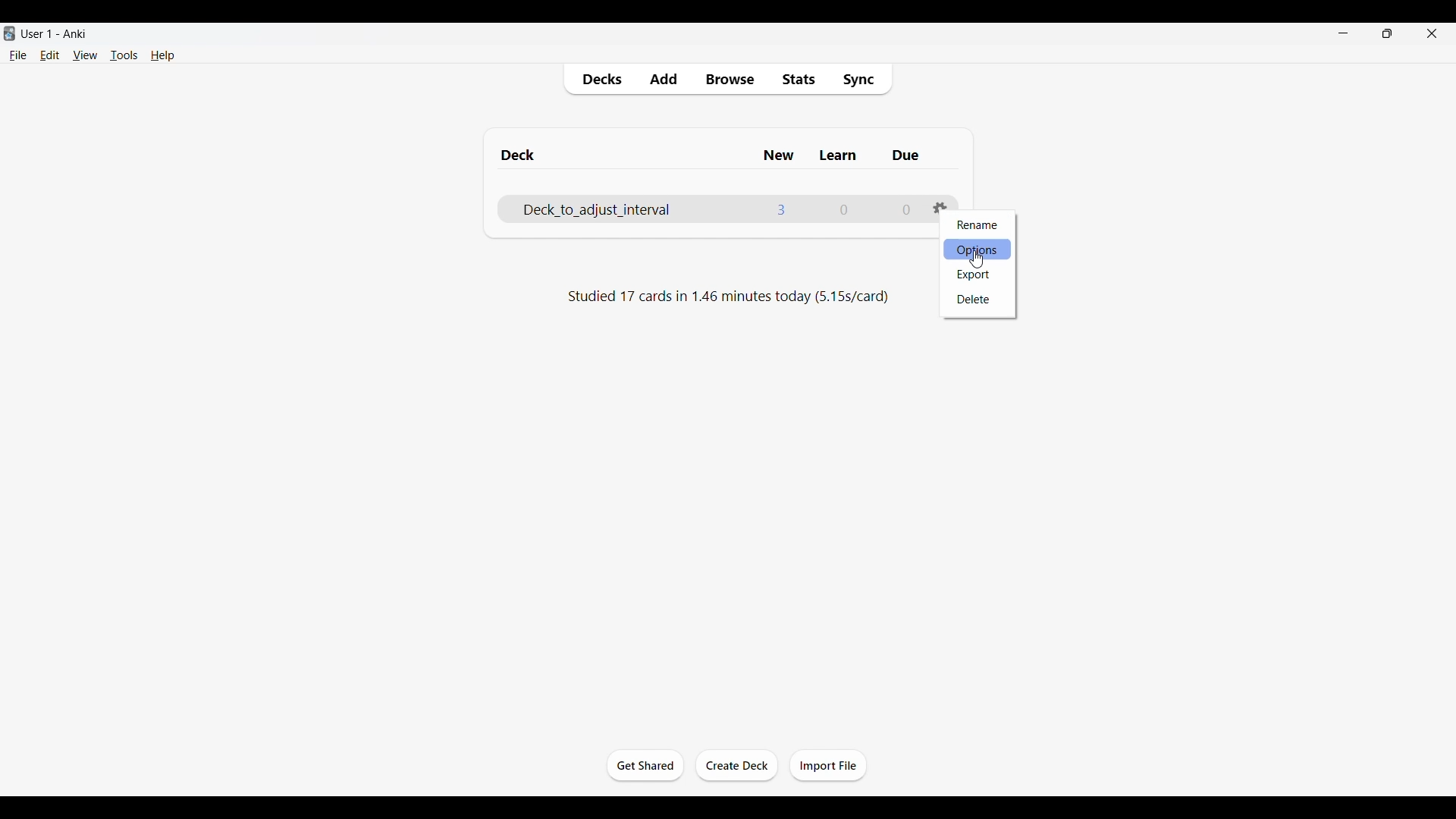 This screenshot has width=1456, height=819. I want to click on Browse , so click(728, 79).